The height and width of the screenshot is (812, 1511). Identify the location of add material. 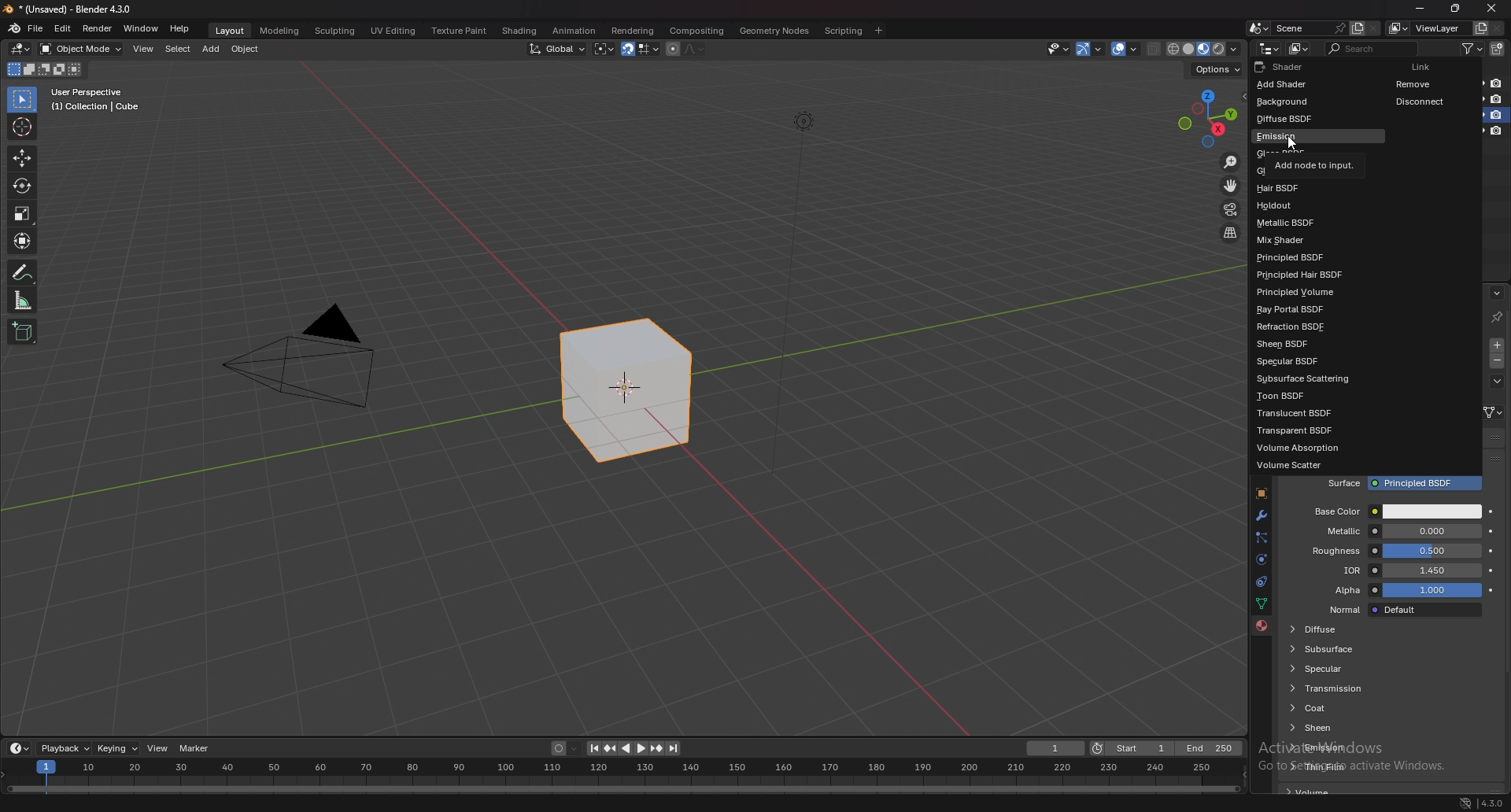
(1498, 345).